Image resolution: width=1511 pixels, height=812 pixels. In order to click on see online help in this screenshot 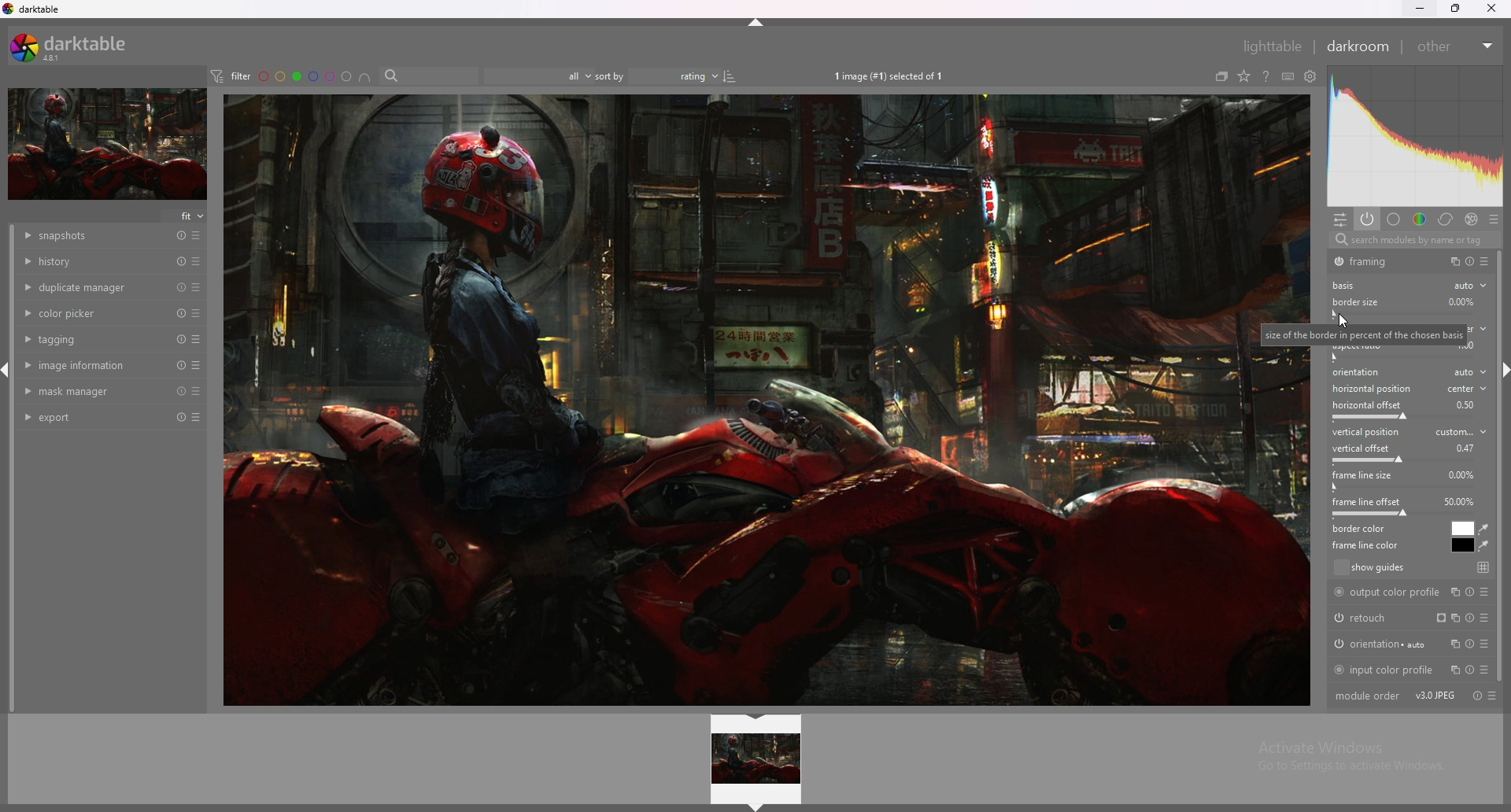, I will do `click(1266, 76)`.